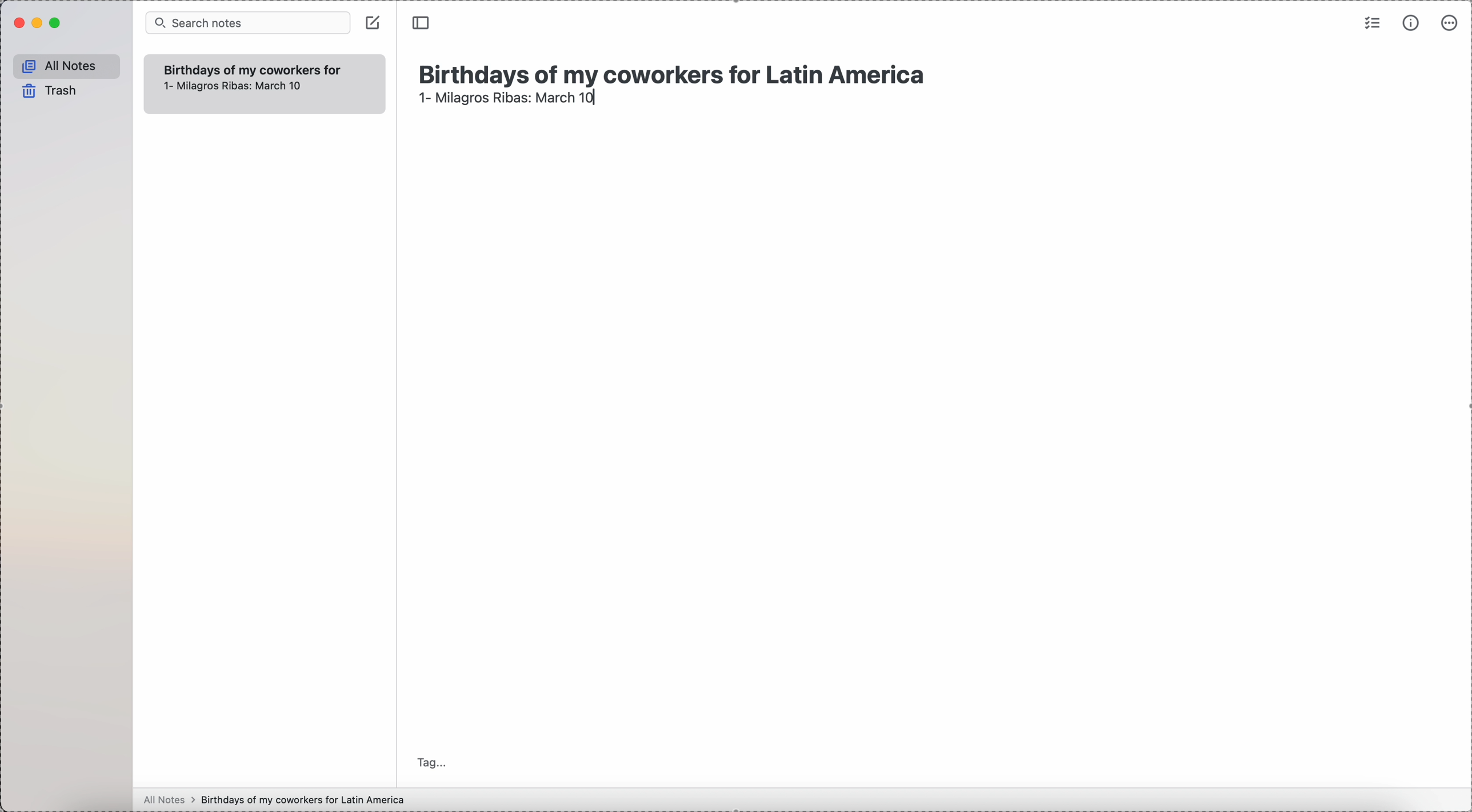 Image resolution: width=1472 pixels, height=812 pixels. Describe the element at coordinates (18, 23) in the screenshot. I see `close Simplenote` at that location.